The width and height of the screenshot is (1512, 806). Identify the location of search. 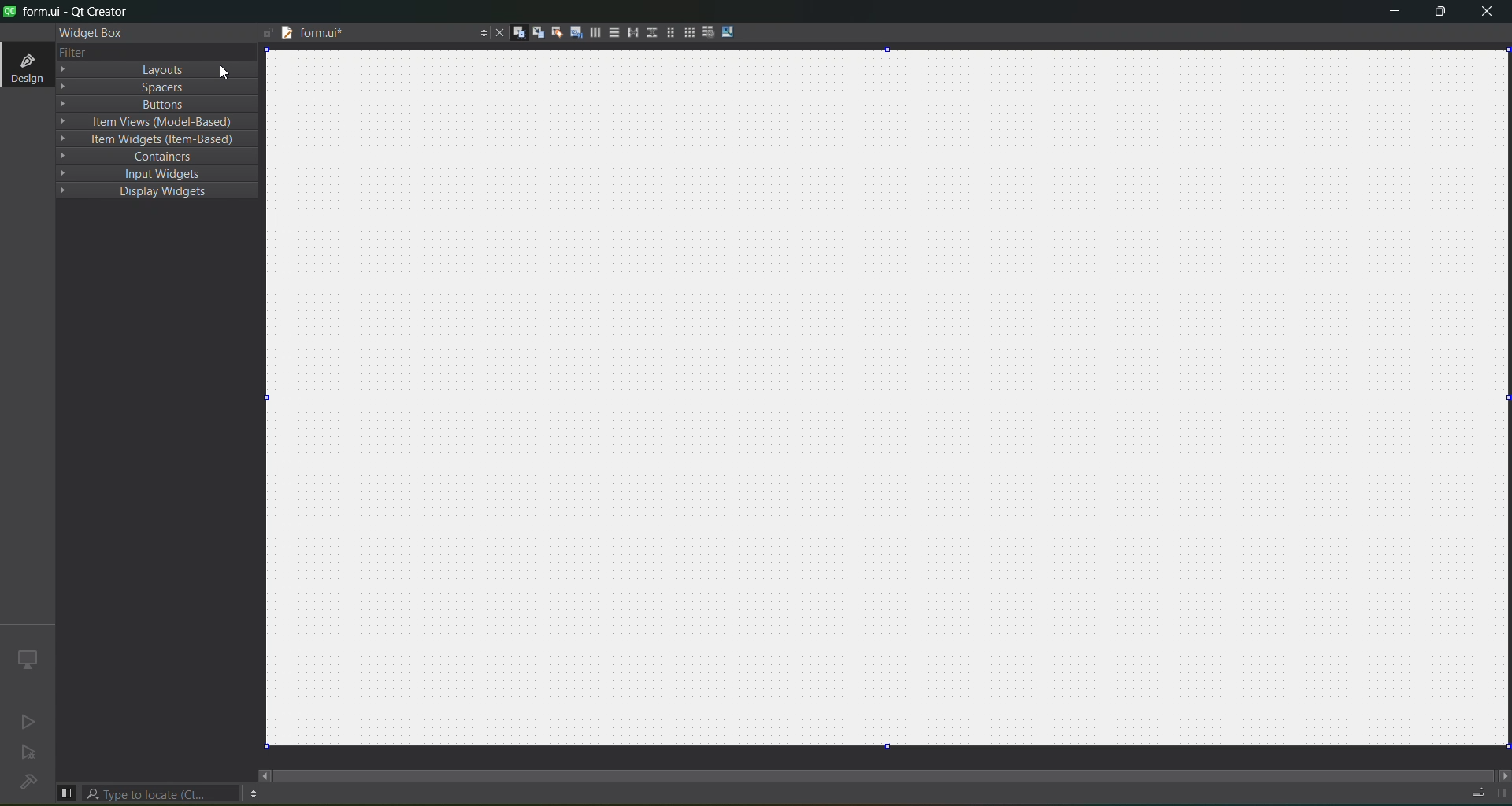
(162, 793).